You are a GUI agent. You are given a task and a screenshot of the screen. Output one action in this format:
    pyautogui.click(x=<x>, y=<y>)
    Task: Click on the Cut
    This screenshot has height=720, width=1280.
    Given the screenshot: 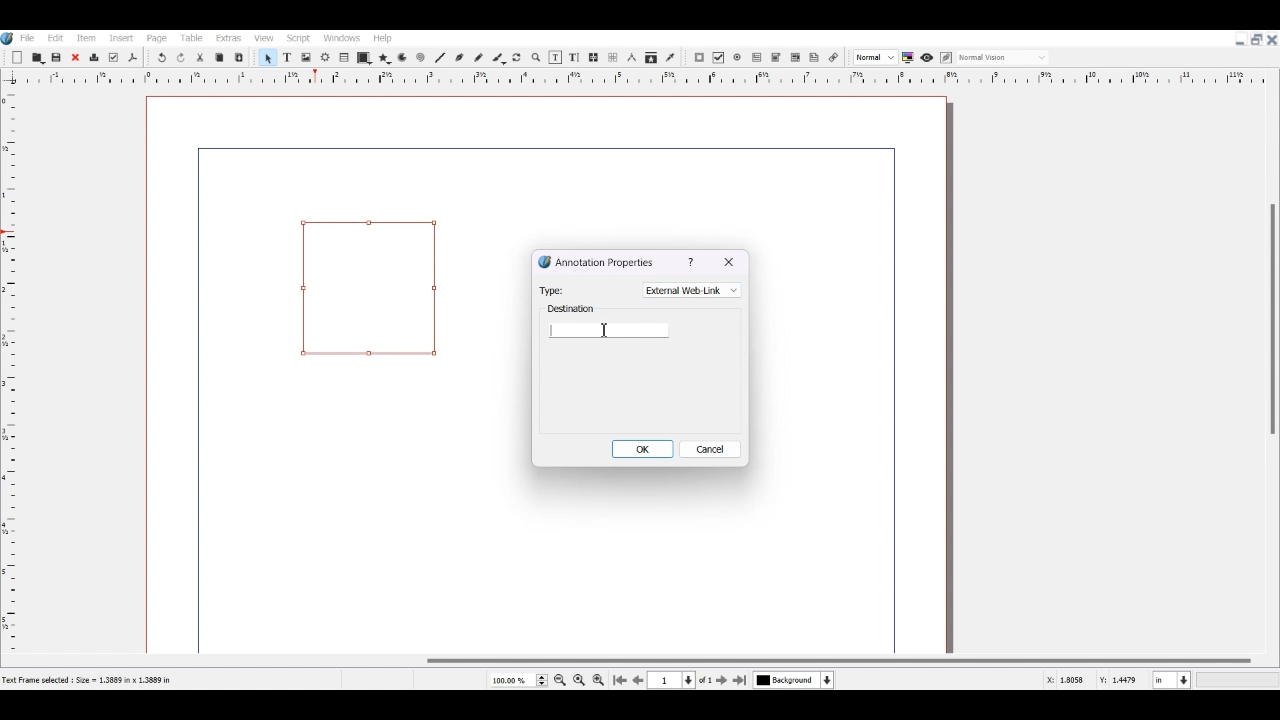 What is the action you would take?
    pyautogui.click(x=200, y=57)
    